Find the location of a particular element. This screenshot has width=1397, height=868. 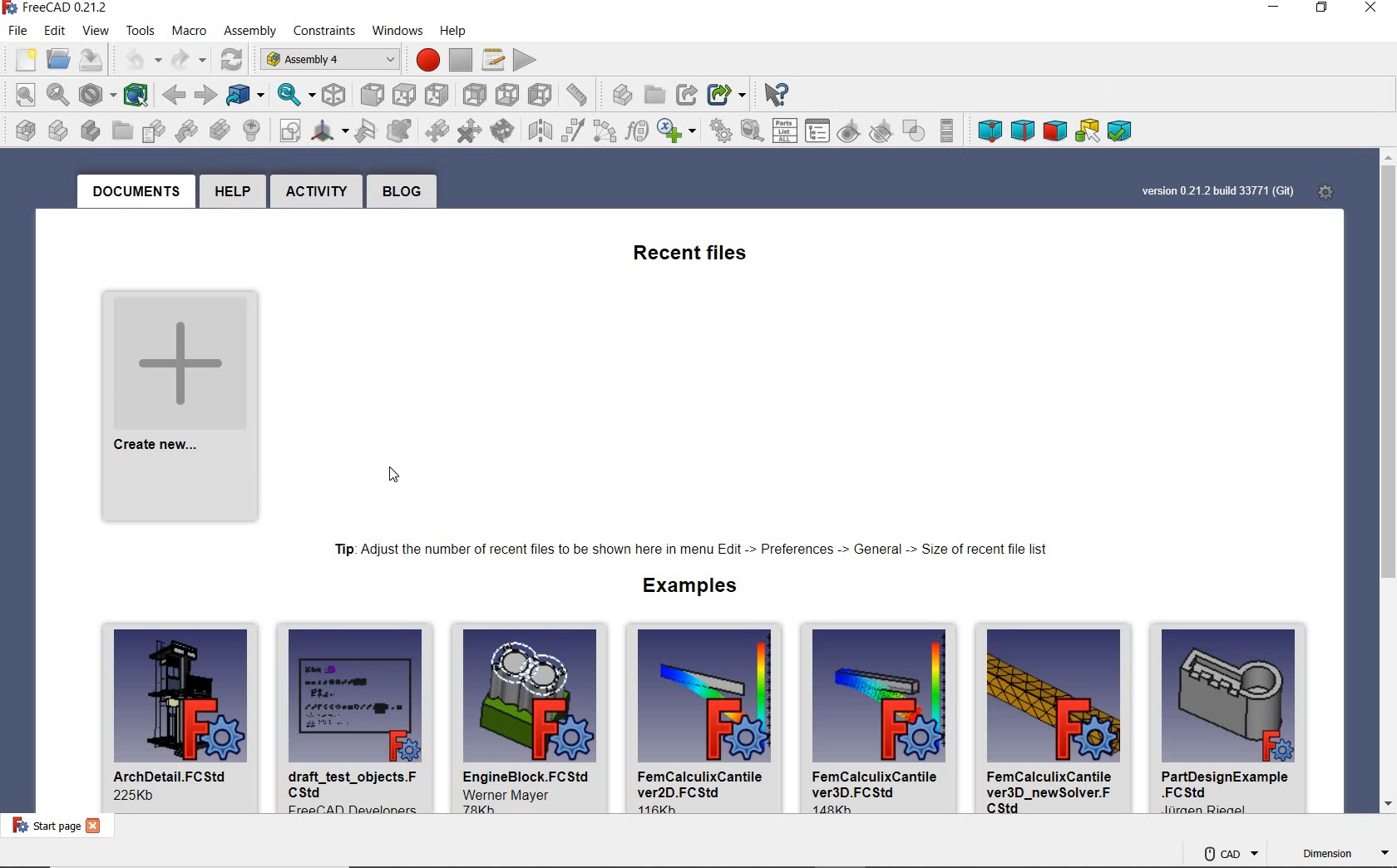

draw style is located at coordinates (96, 95).